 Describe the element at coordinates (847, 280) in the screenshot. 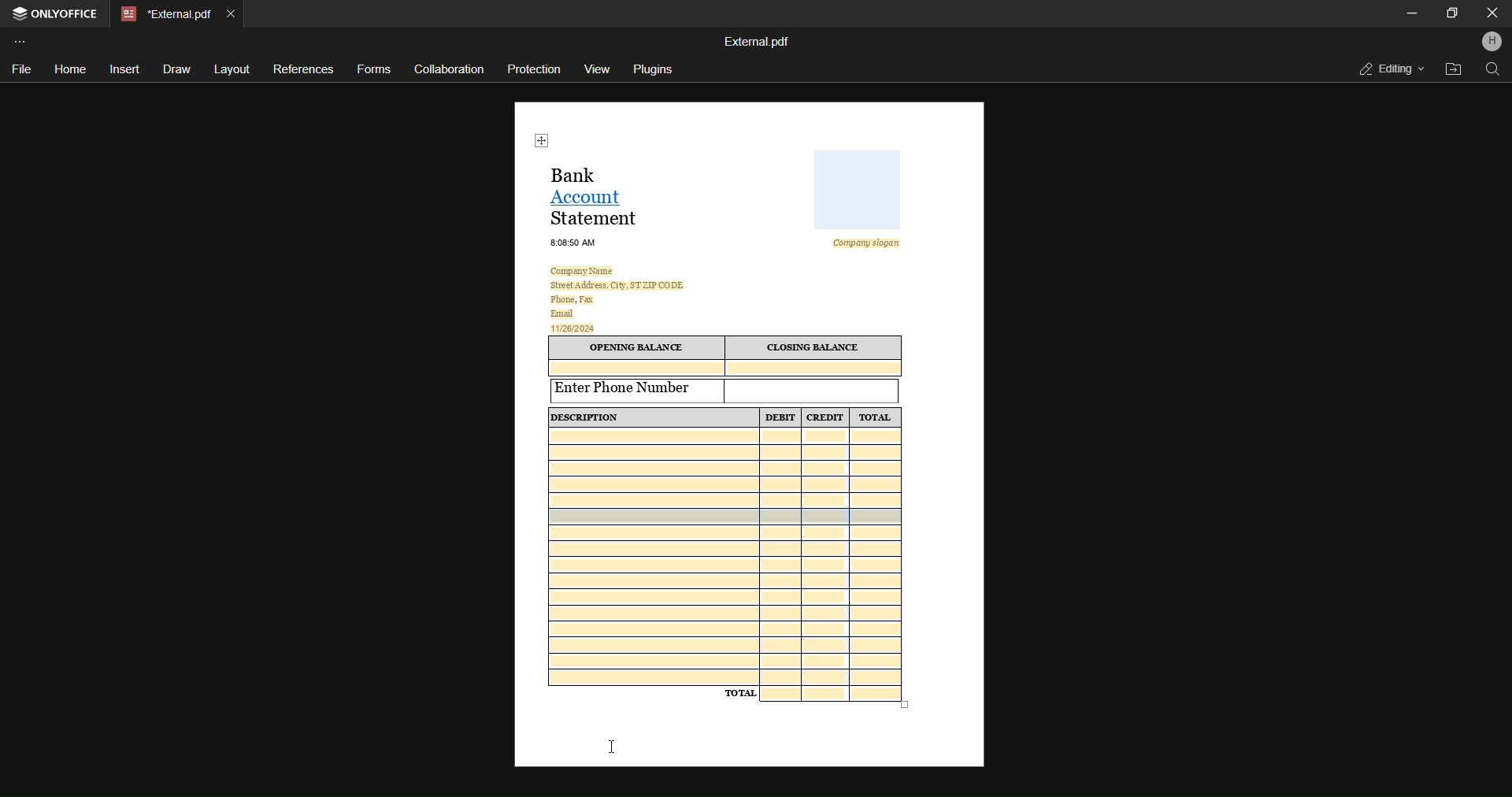

I see `` at that location.